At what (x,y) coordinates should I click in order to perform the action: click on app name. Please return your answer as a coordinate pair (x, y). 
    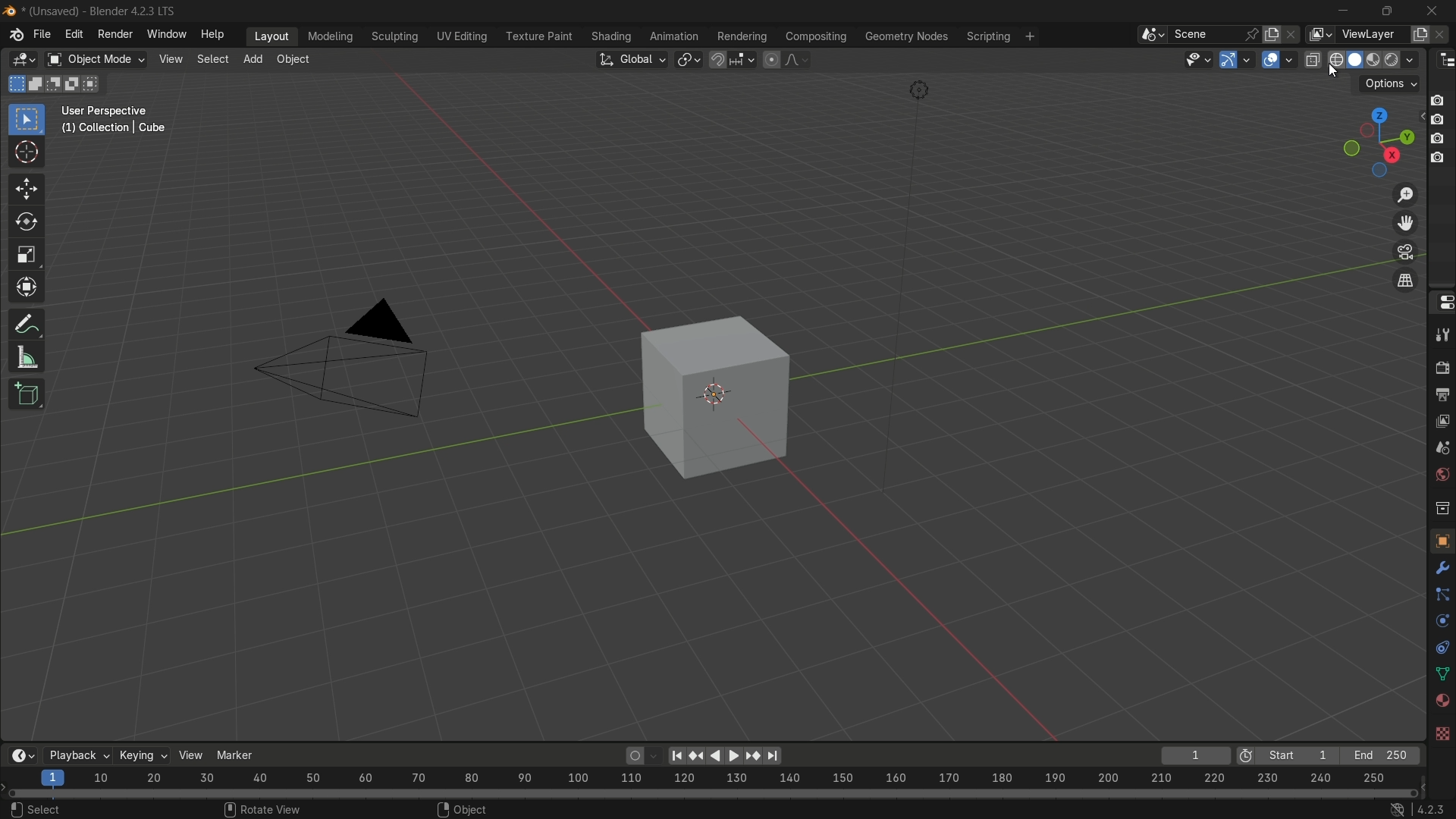
    Looking at the image, I should click on (104, 11).